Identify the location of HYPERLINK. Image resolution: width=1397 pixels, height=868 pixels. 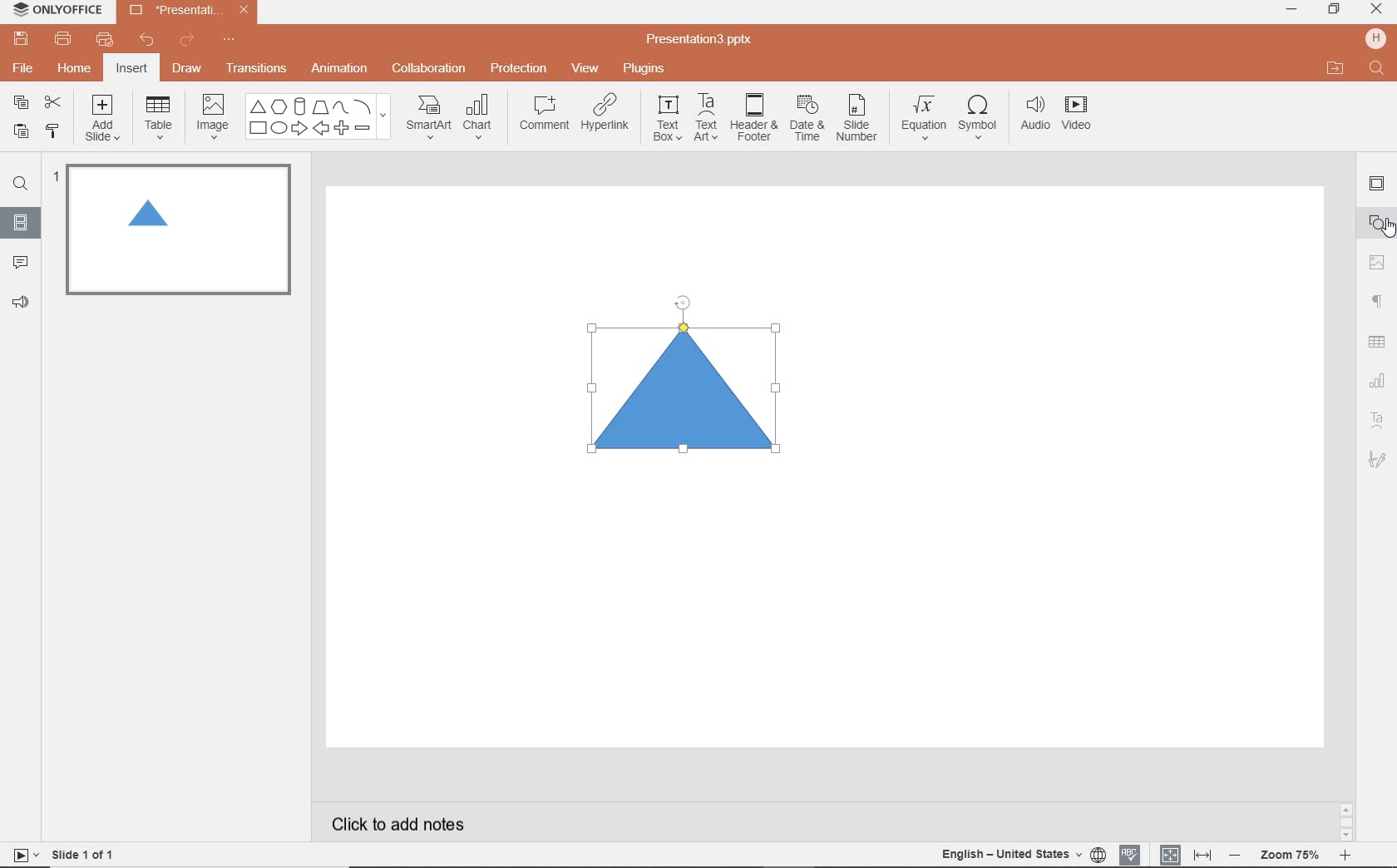
(605, 117).